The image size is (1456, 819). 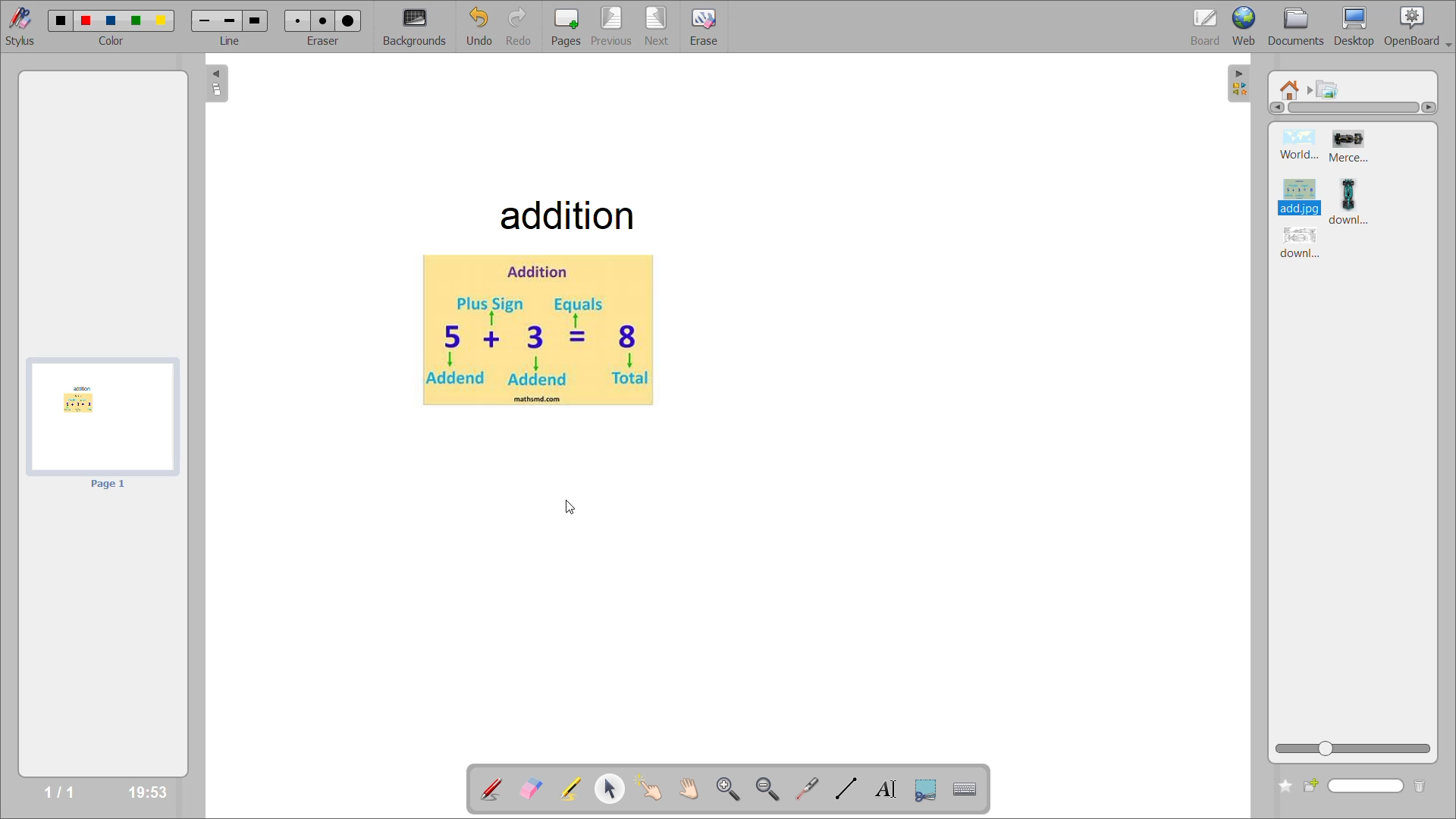 What do you see at coordinates (299, 20) in the screenshot?
I see `eraser 1` at bounding box center [299, 20].